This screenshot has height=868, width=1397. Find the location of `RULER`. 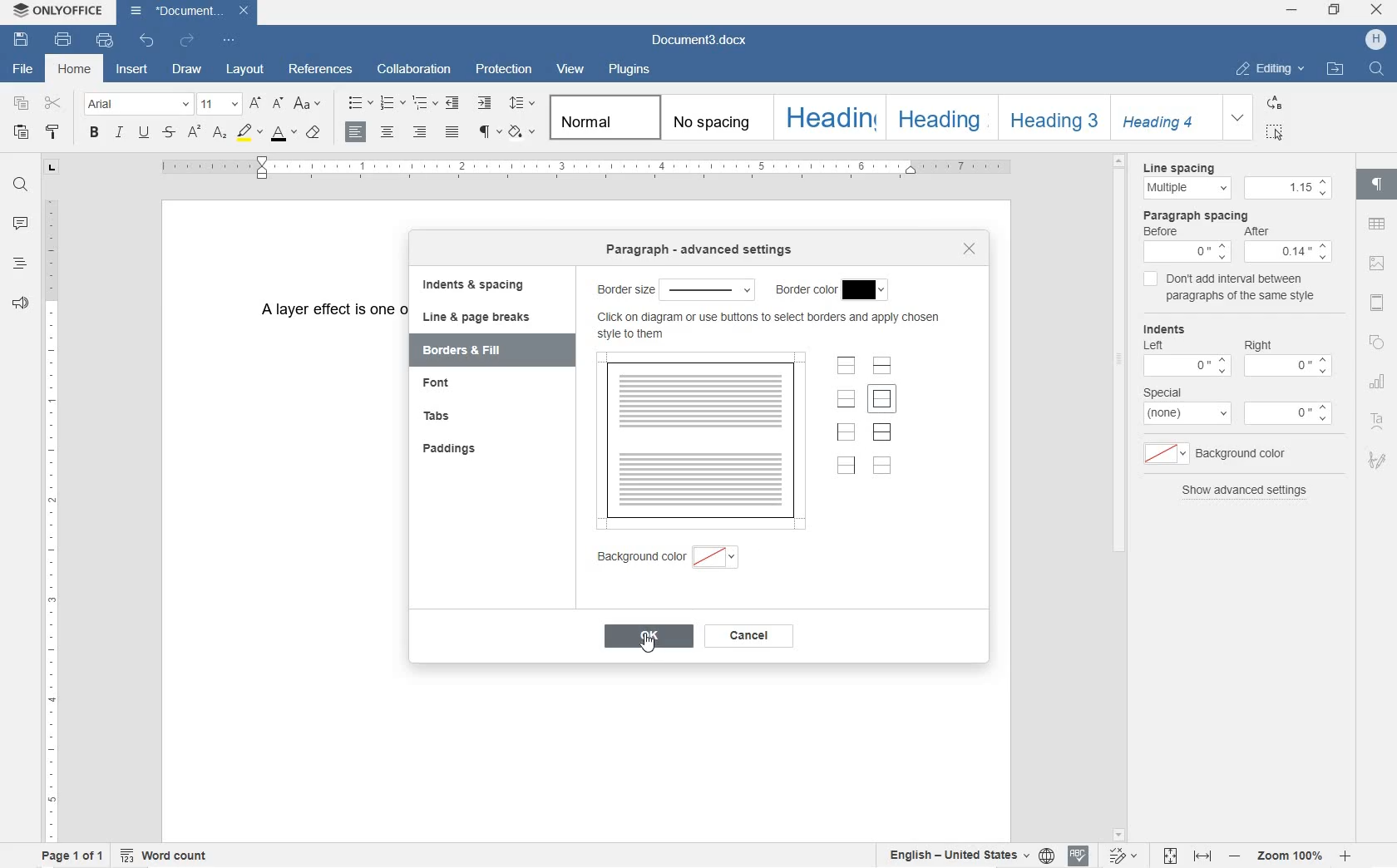

RULER is located at coordinates (588, 168).